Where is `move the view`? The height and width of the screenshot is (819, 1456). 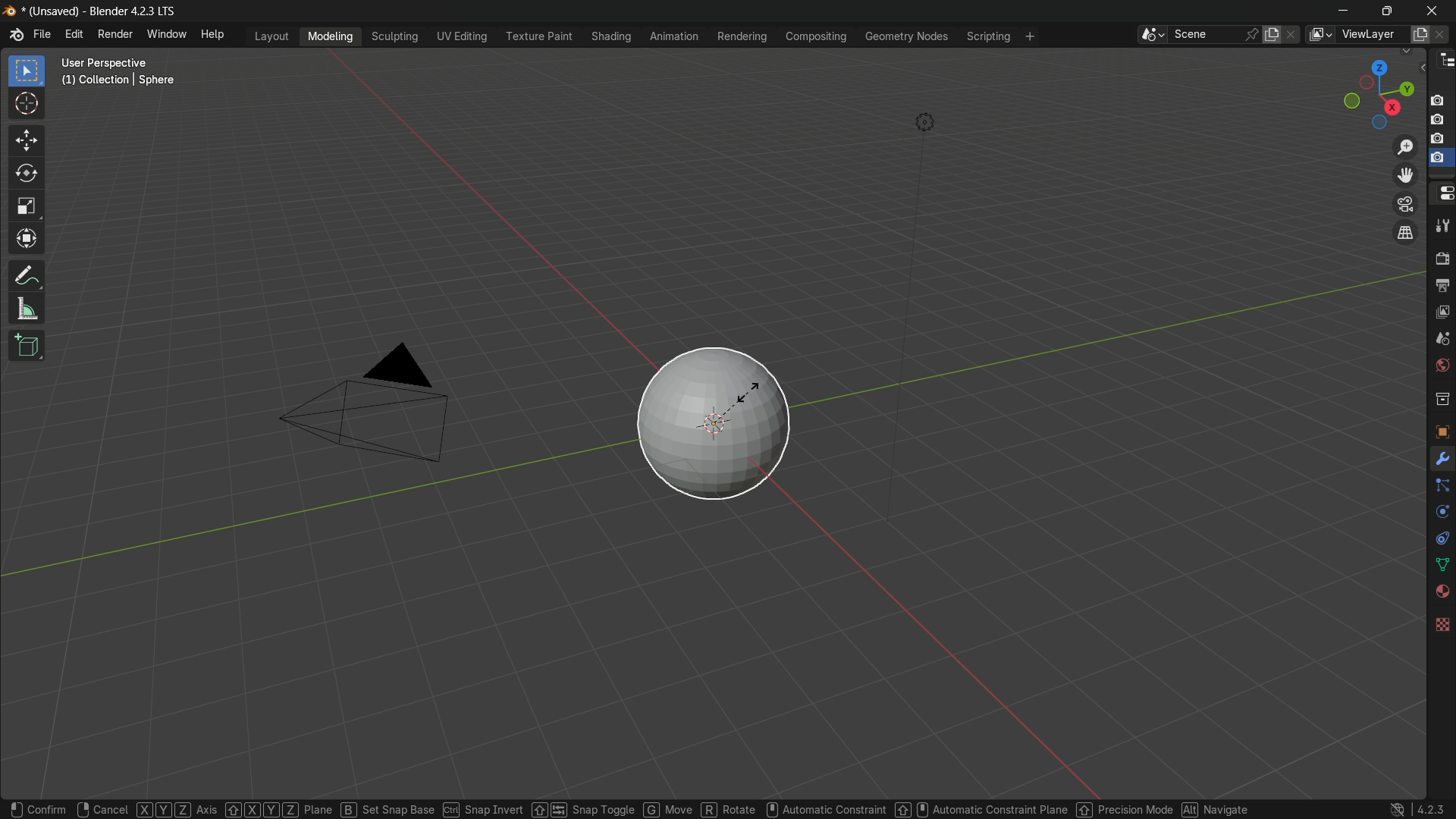 move the view is located at coordinates (1406, 176).